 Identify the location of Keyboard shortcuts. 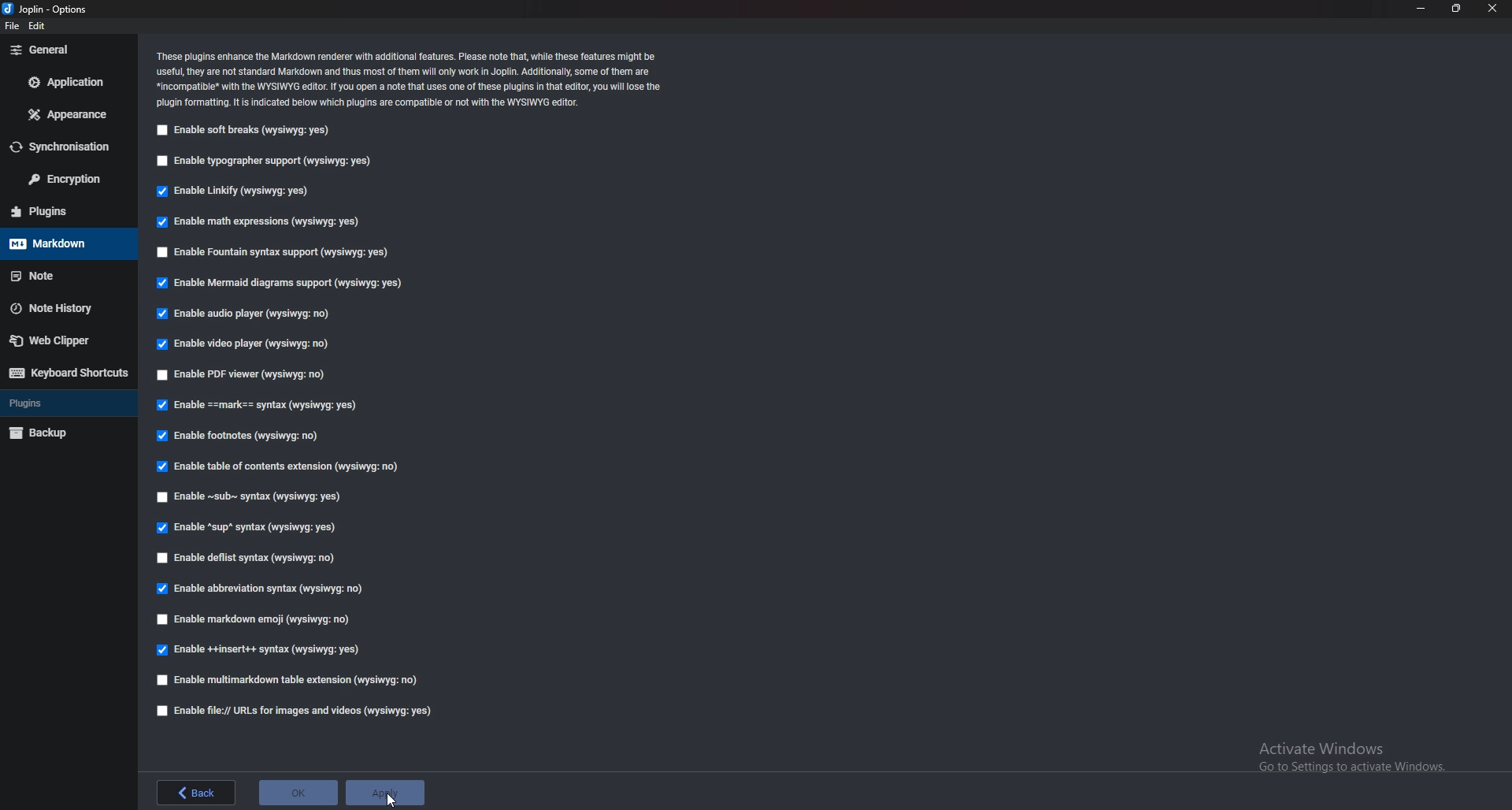
(66, 373).